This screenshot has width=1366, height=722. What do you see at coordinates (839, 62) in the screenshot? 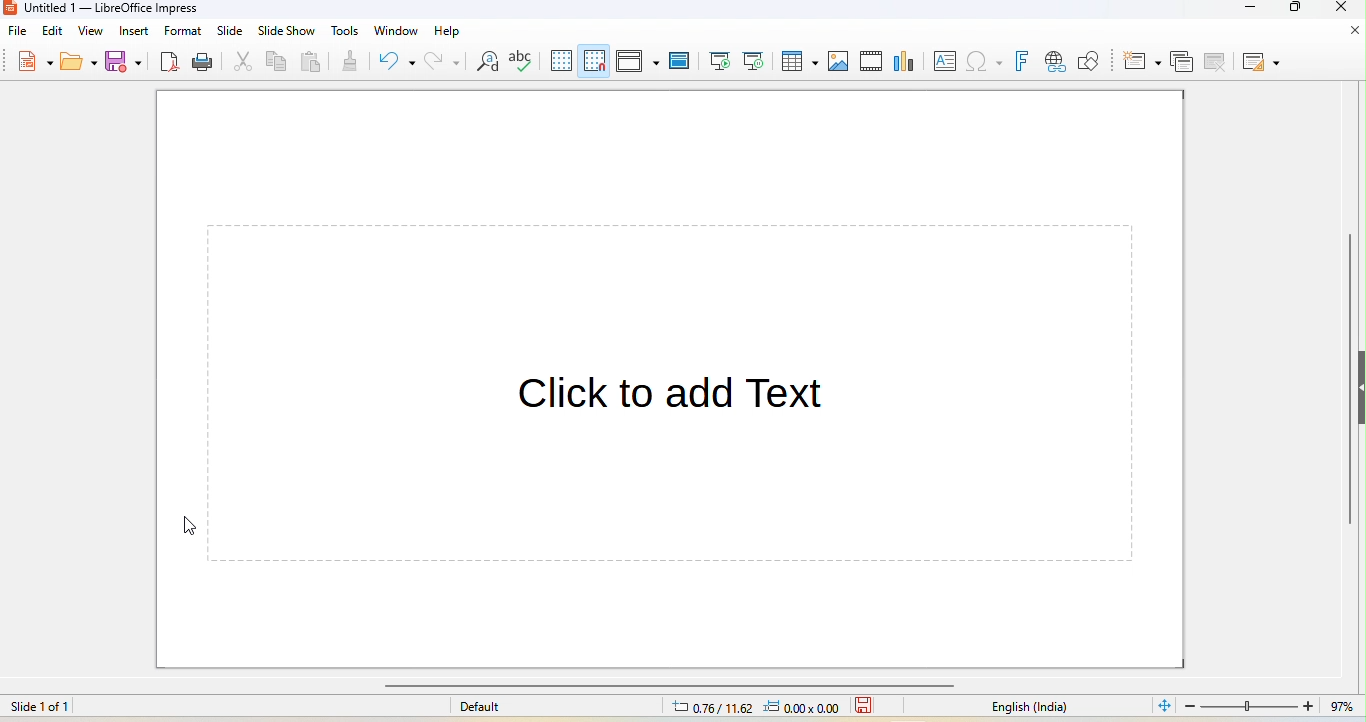
I see `insert image` at bounding box center [839, 62].